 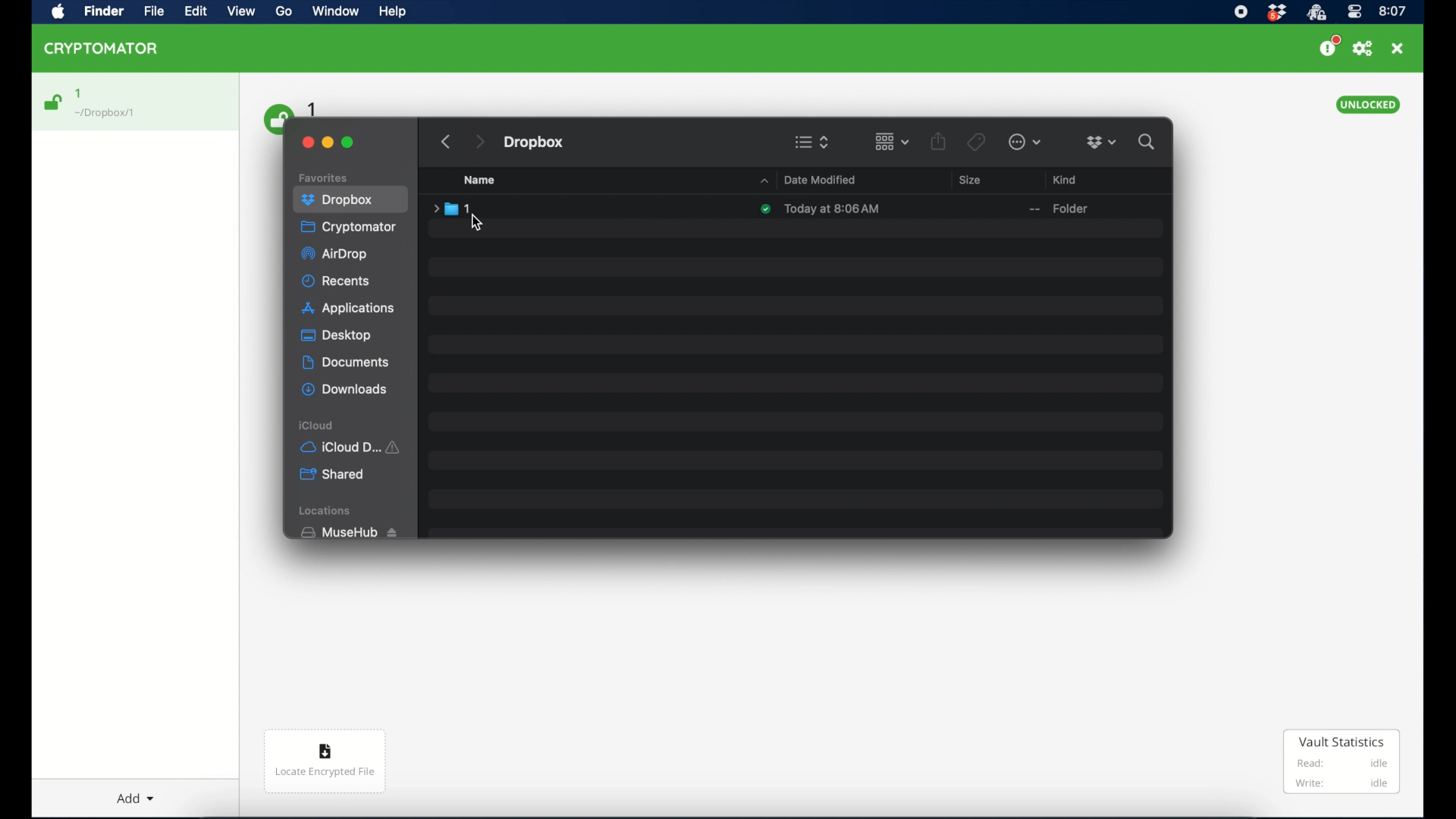 I want to click on CRYPTOMATOR, so click(x=108, y=51).